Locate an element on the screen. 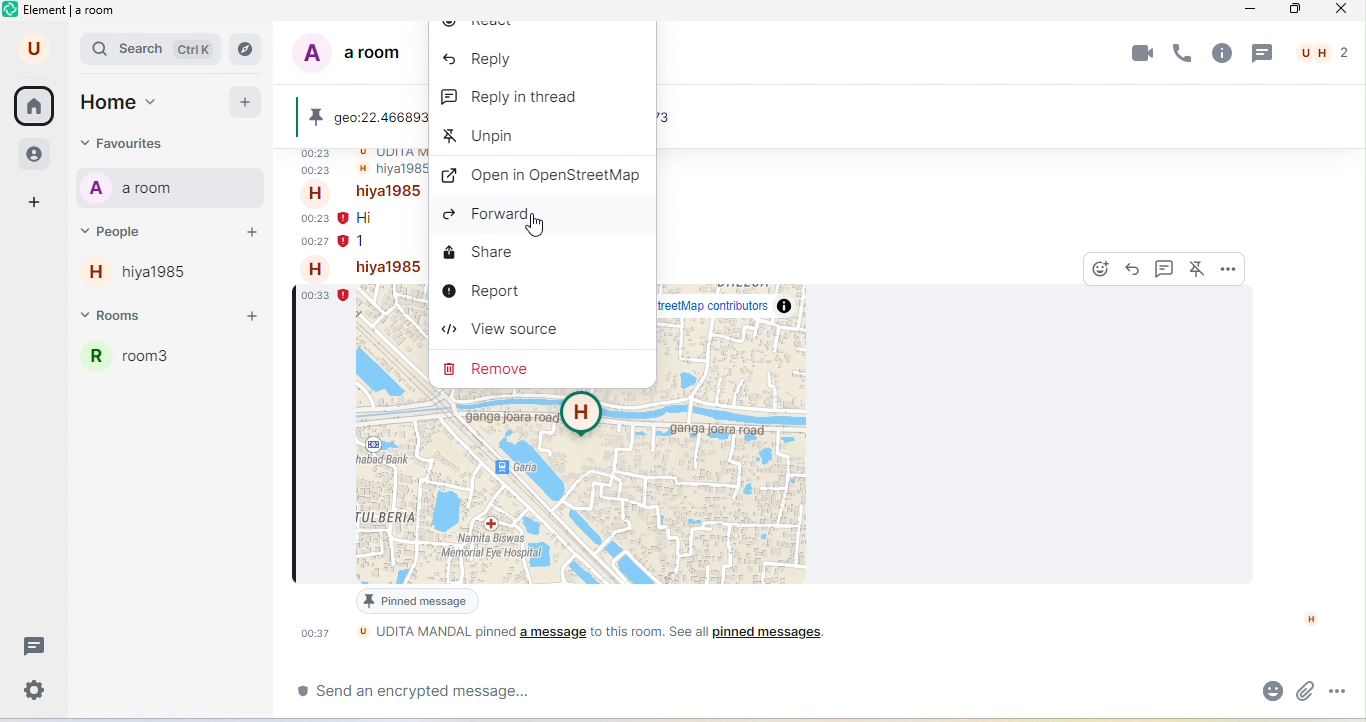  hi is located at coordinates (370, 218).